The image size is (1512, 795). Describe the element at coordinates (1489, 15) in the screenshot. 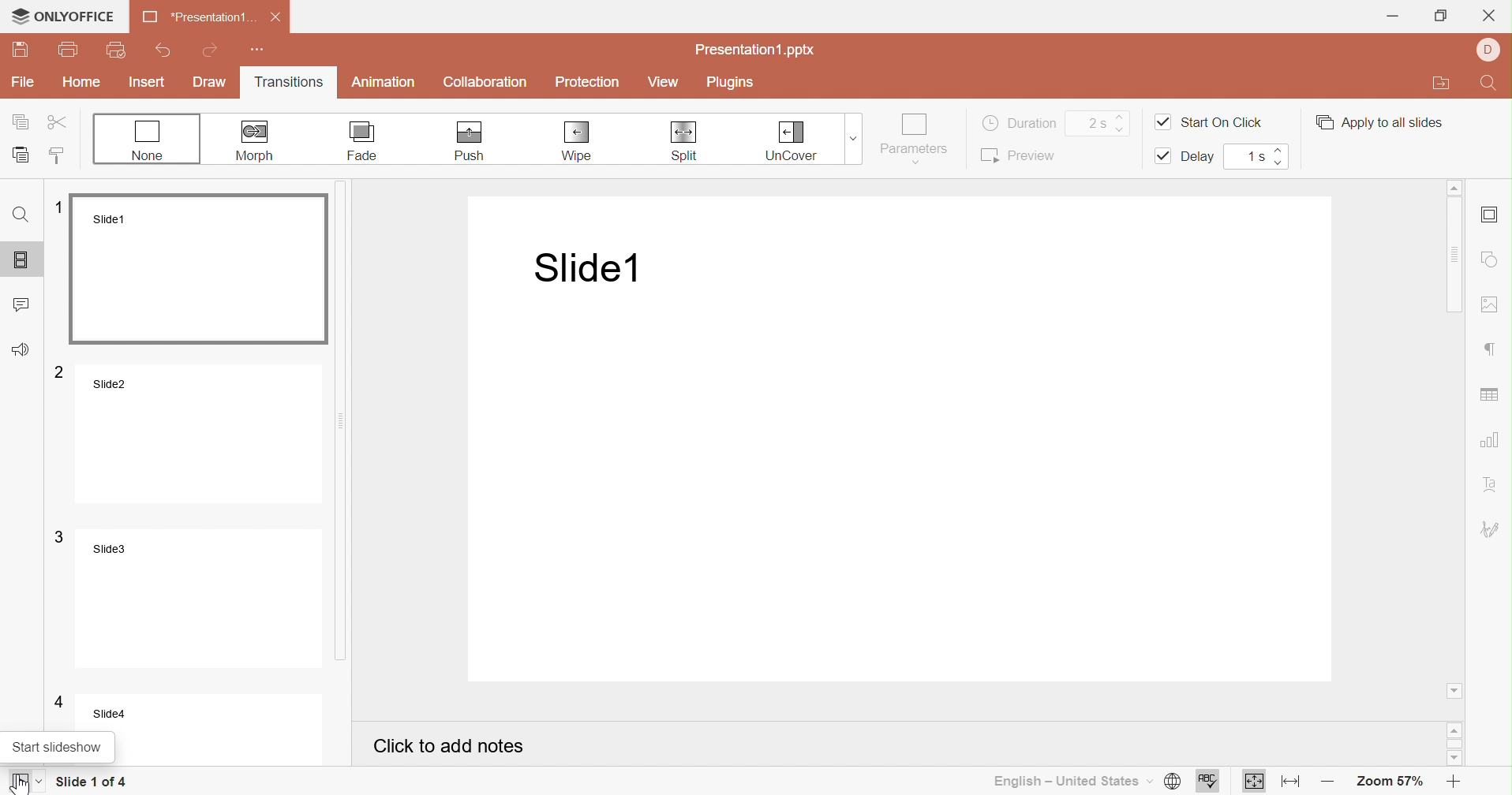

I see `Close` at that location.